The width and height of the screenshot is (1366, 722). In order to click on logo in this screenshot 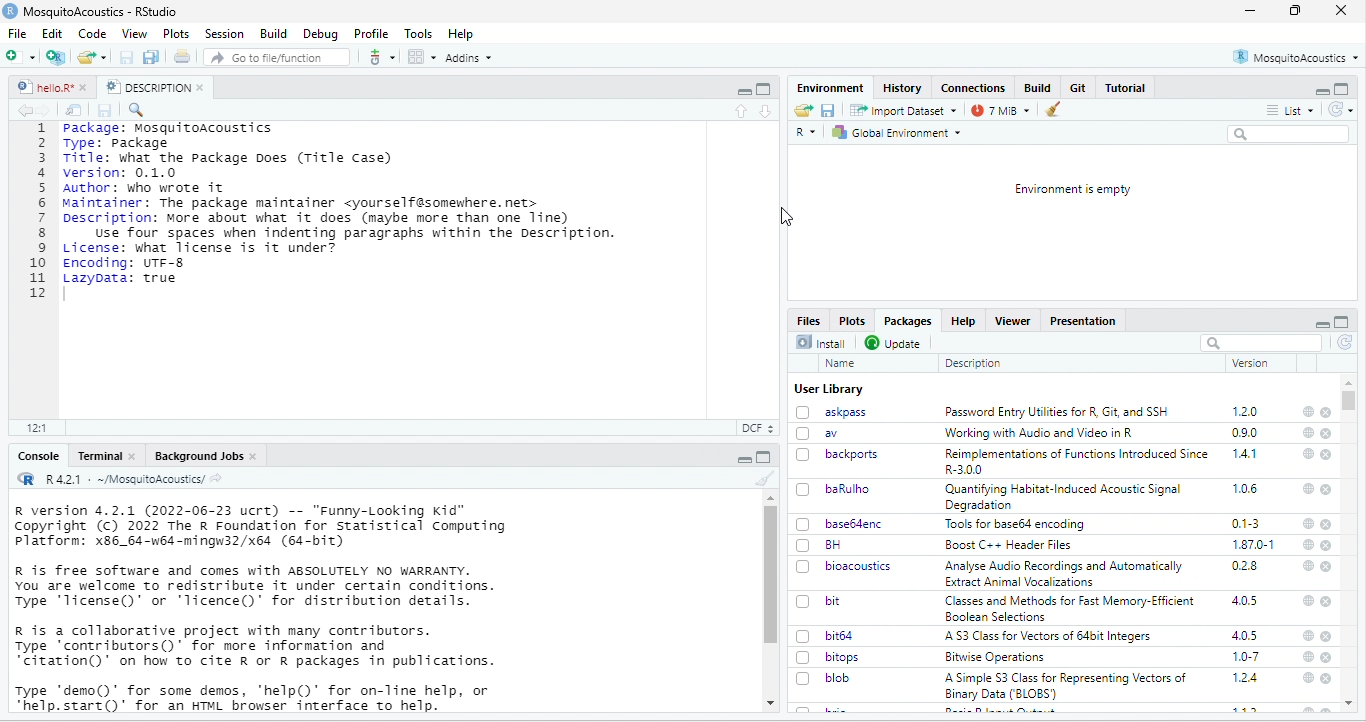, I will do `click(10, 11)`.